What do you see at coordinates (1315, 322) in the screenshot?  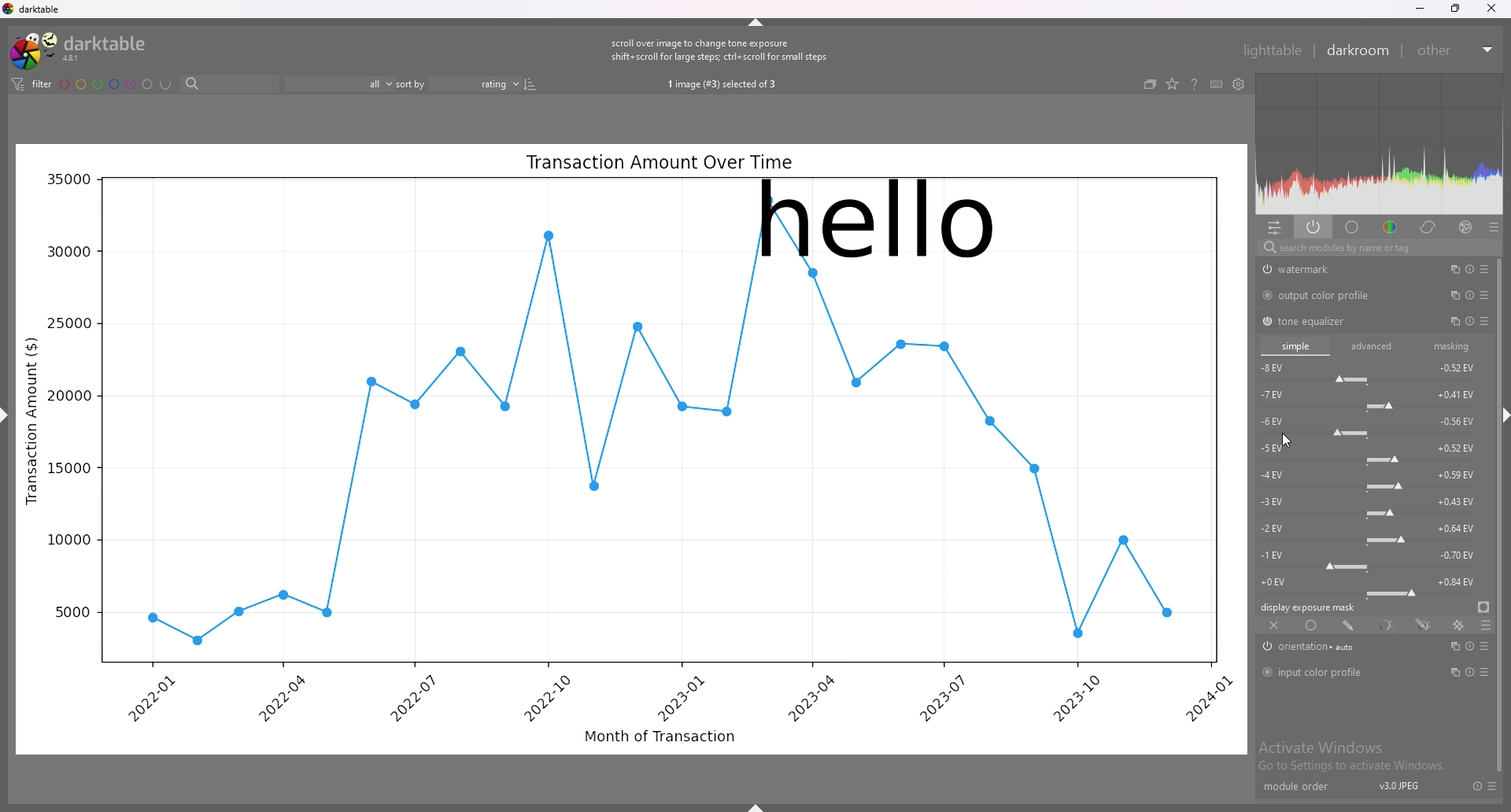 I see `tone equalizer` at bounding box center [1315, 322].